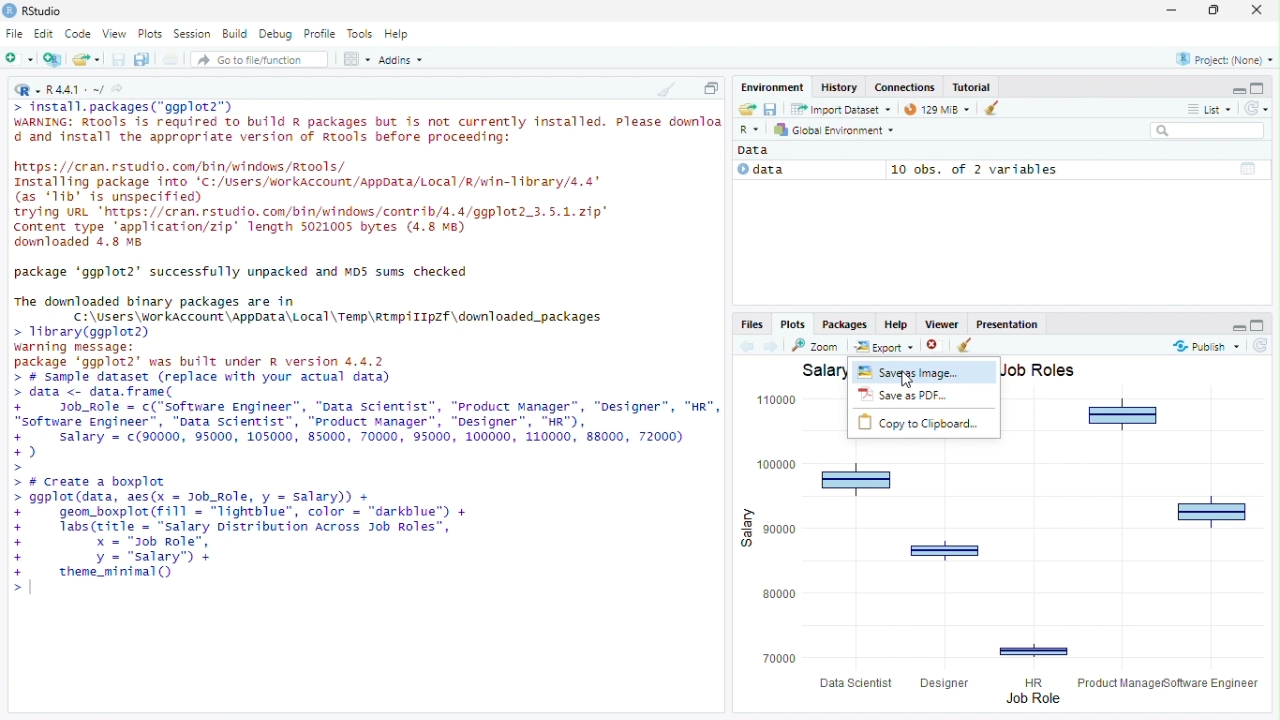 The width and height of the screenshot is (1280, 720). Describe the element at coordinates (834, 129) in the screenshot. I see `Global environment` at that location.